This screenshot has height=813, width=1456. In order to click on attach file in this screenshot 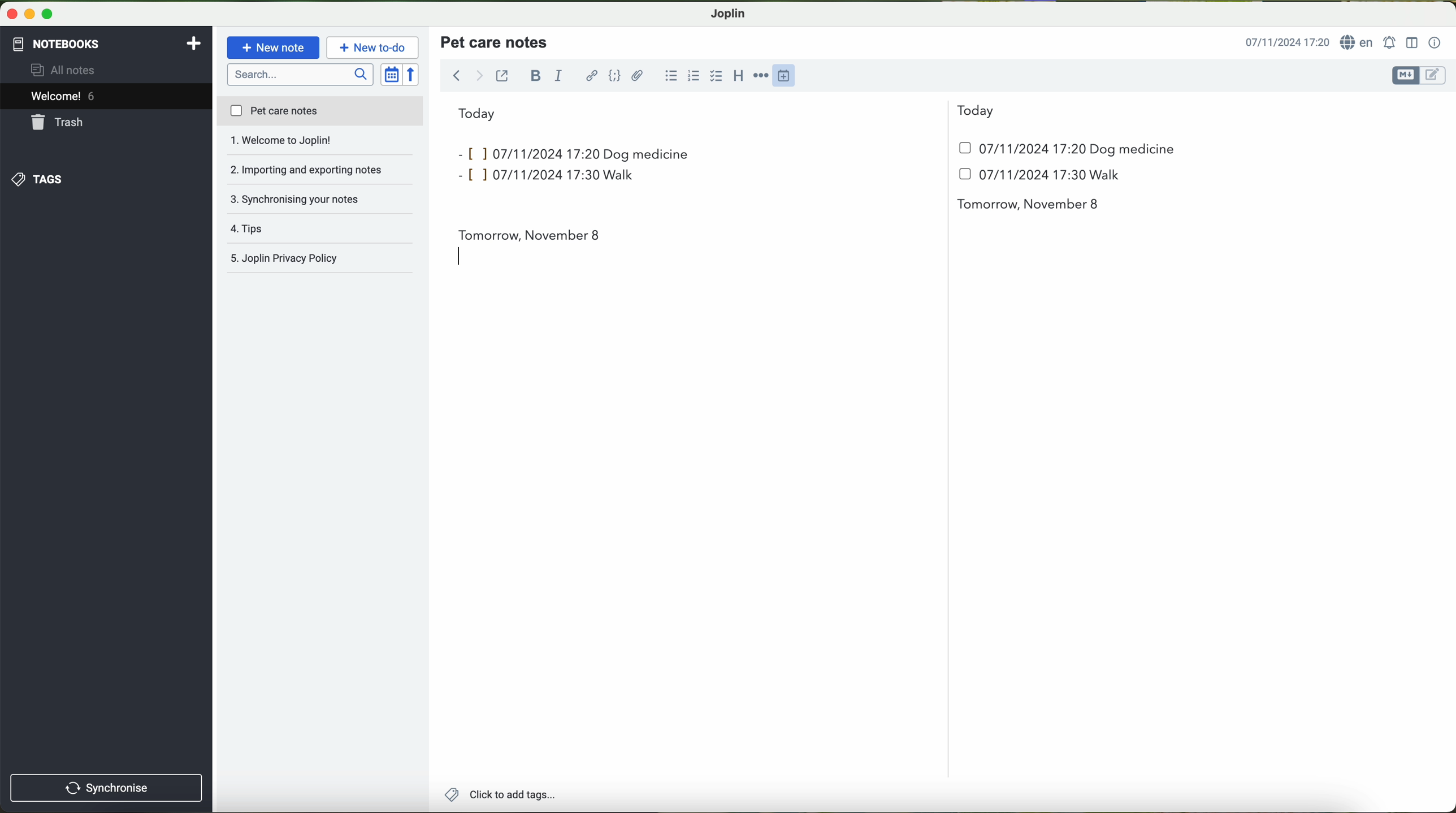, I will do `click(638, 75)`.